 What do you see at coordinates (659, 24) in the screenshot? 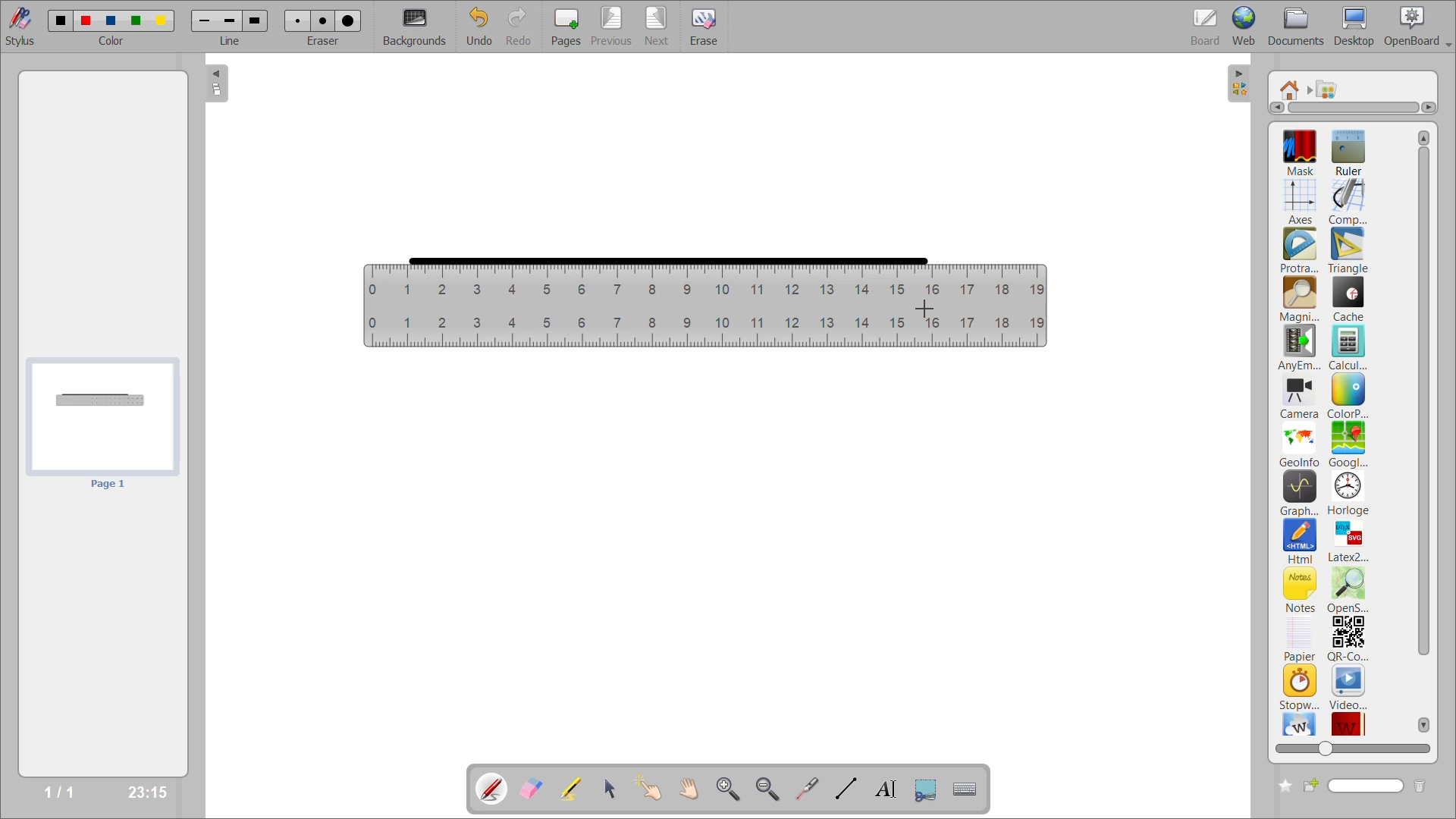
I see `next` at bounding box center [659, 24].